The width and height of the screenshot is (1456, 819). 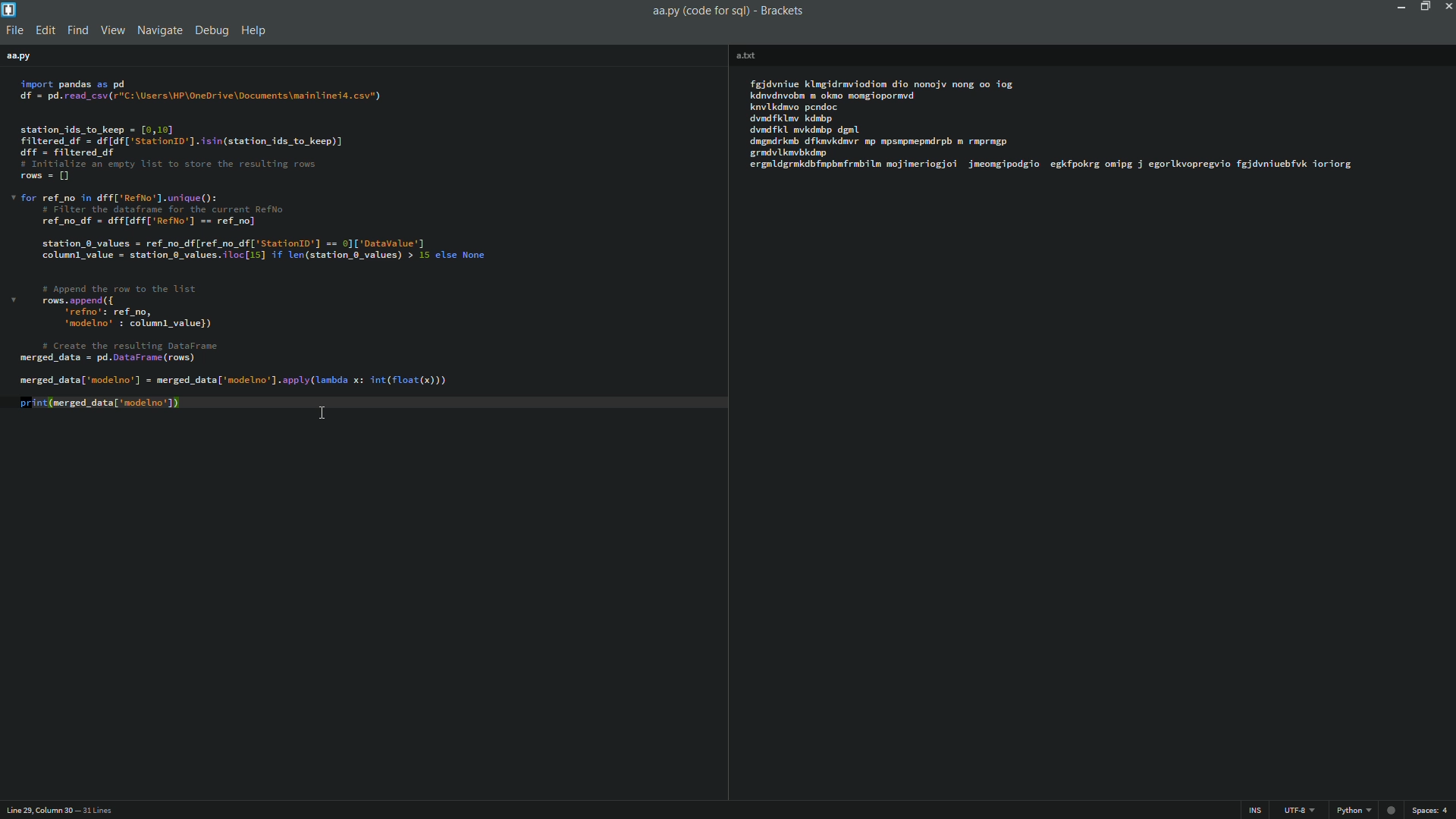 I want to click on minimize, so click(x=1402, y=7).